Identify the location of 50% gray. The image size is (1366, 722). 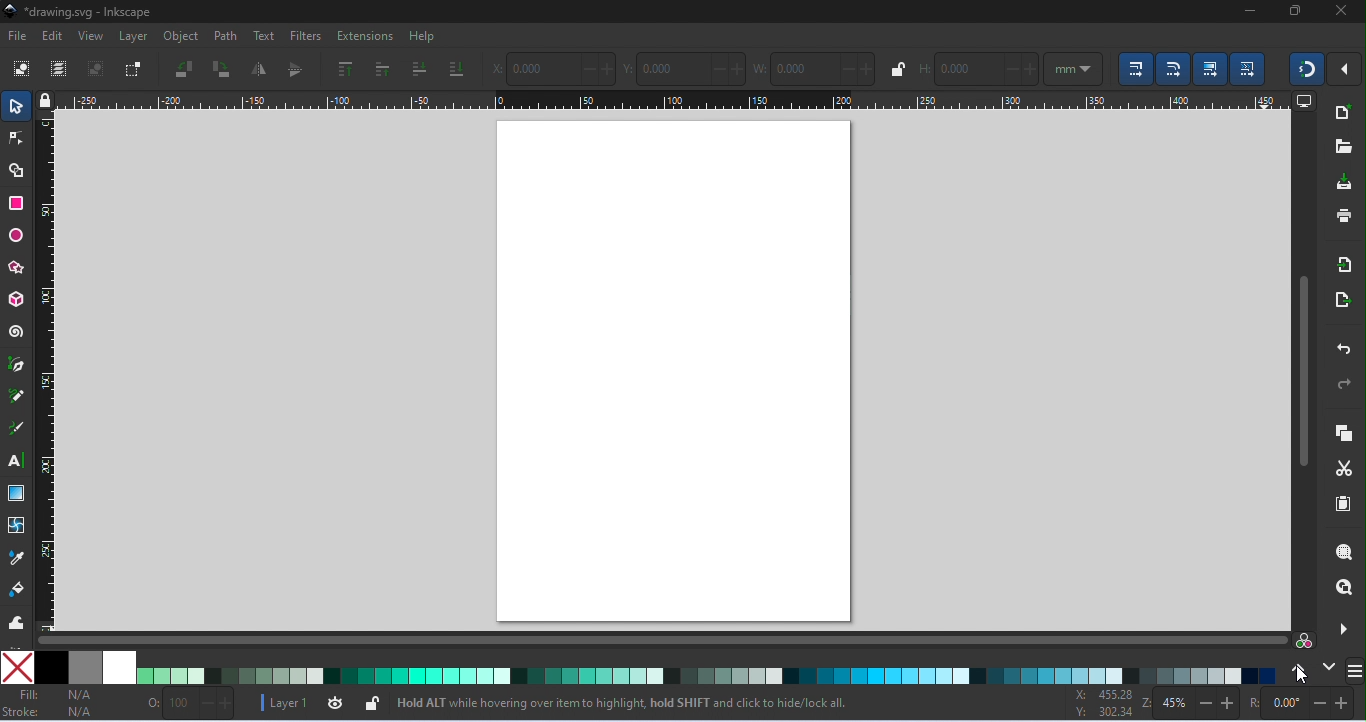
(87, 667).